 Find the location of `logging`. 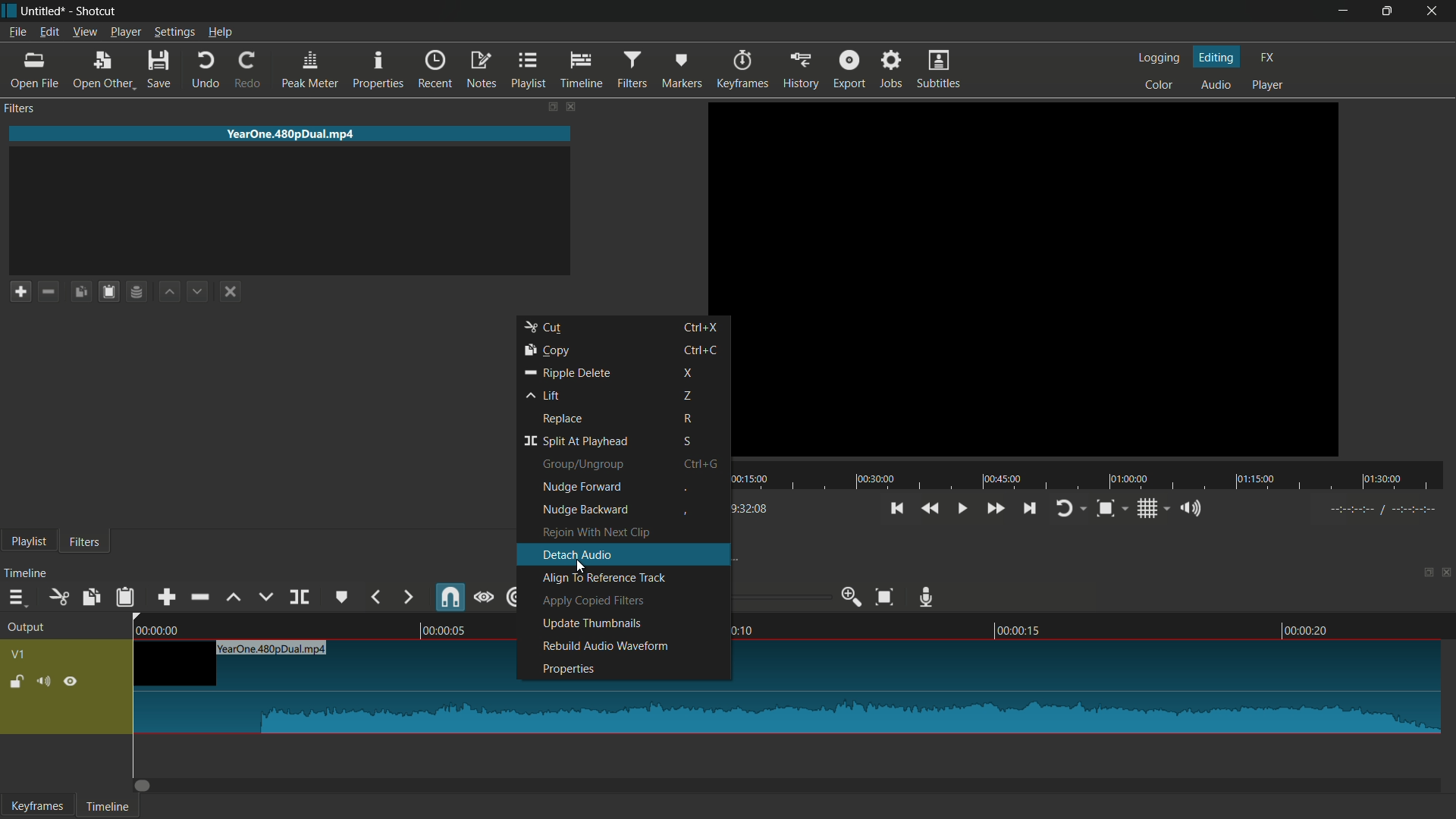

logging is located at coordinates (1156, 58).